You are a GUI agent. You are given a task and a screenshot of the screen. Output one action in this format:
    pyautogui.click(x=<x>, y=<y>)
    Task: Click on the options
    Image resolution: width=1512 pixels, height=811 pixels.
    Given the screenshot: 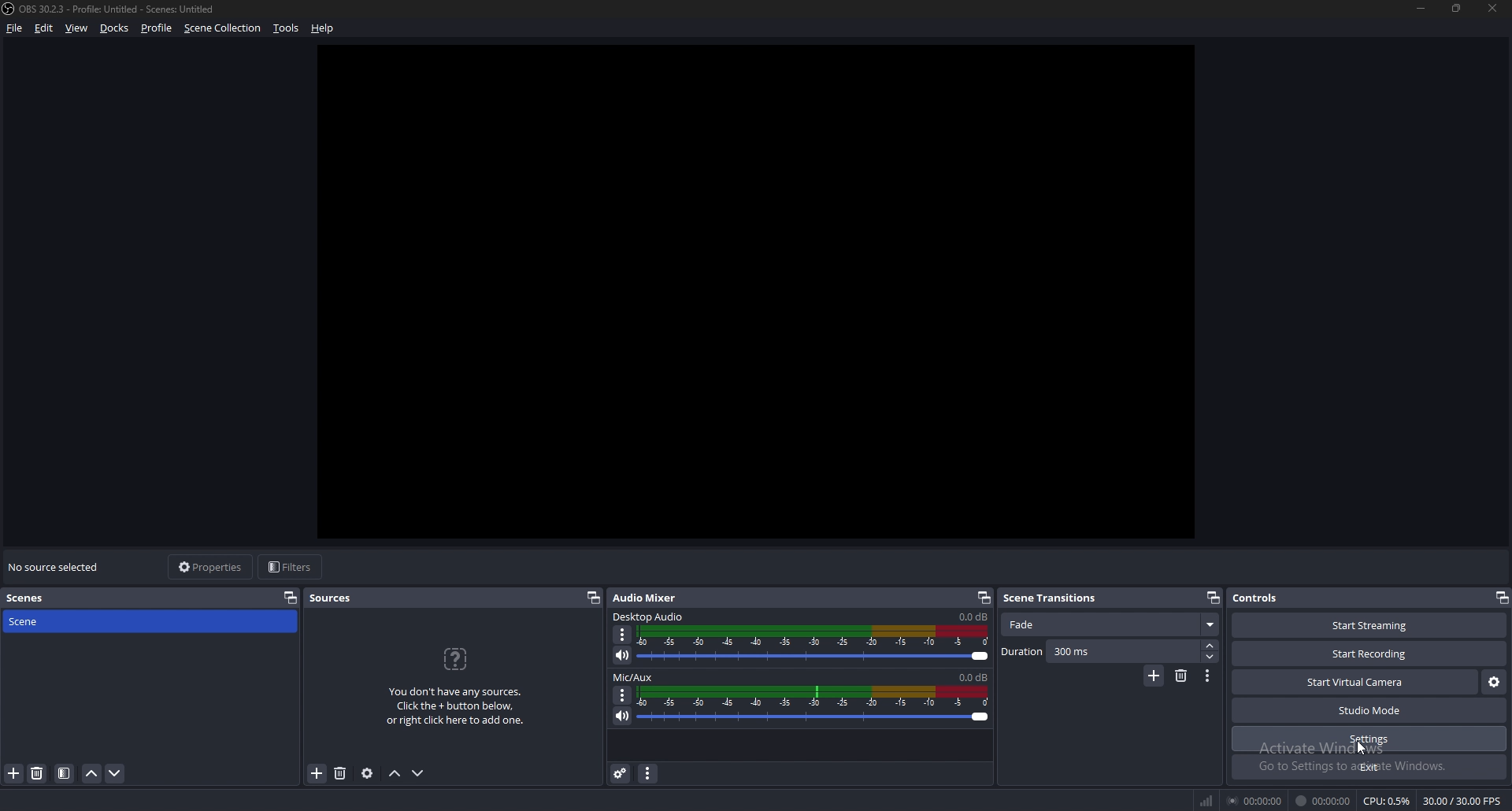 What is the action you would take?
    pyautogui.click(x=623, y=696)
    